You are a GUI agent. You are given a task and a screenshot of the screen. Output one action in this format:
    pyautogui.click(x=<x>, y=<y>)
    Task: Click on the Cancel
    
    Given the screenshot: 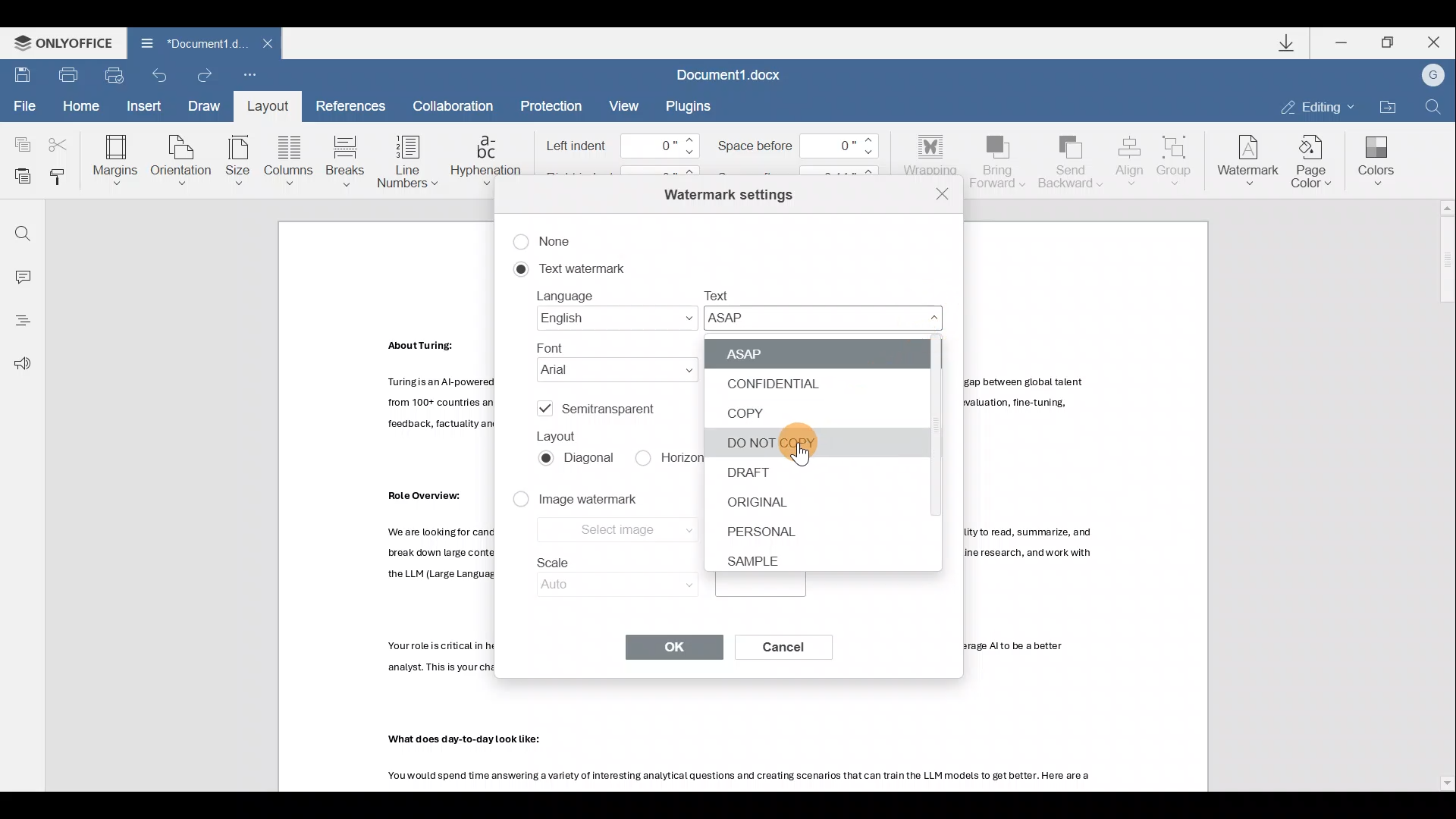 What is the action you would take?
    pyautogui.click(x=795, y=651)
    